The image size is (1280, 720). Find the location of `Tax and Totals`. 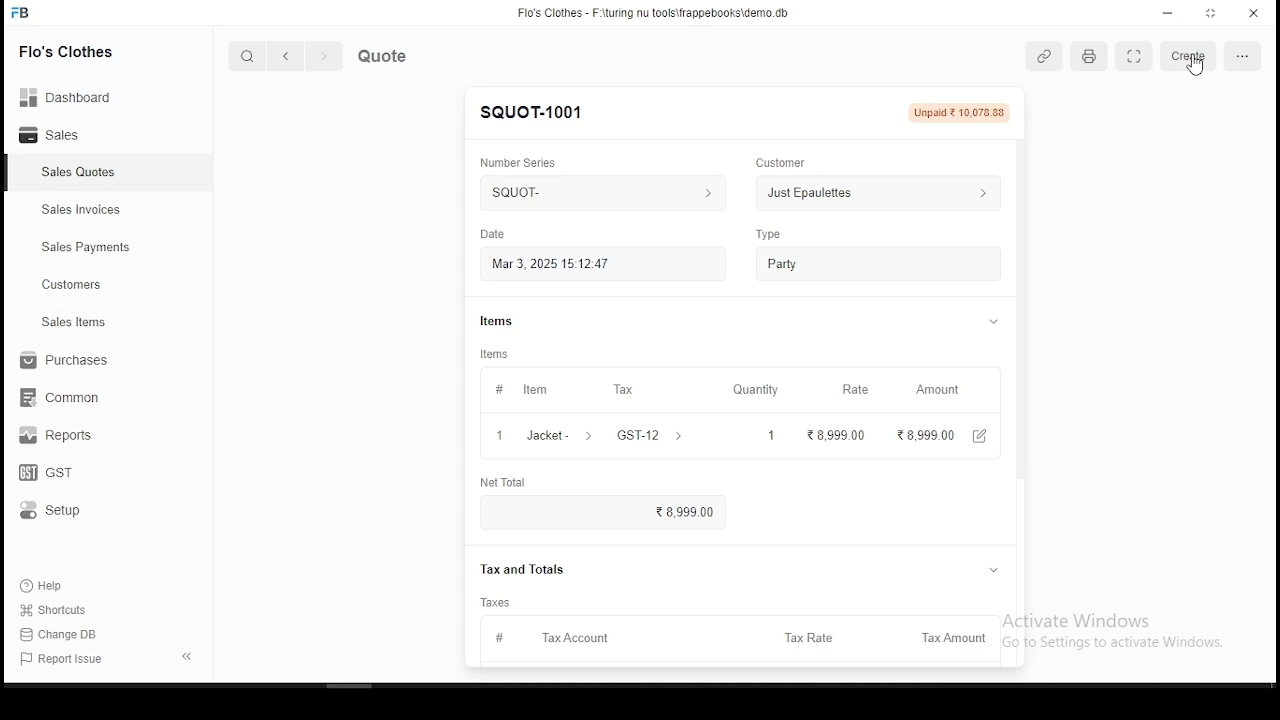

Tax and Totals is located at coordinates (531, 571).